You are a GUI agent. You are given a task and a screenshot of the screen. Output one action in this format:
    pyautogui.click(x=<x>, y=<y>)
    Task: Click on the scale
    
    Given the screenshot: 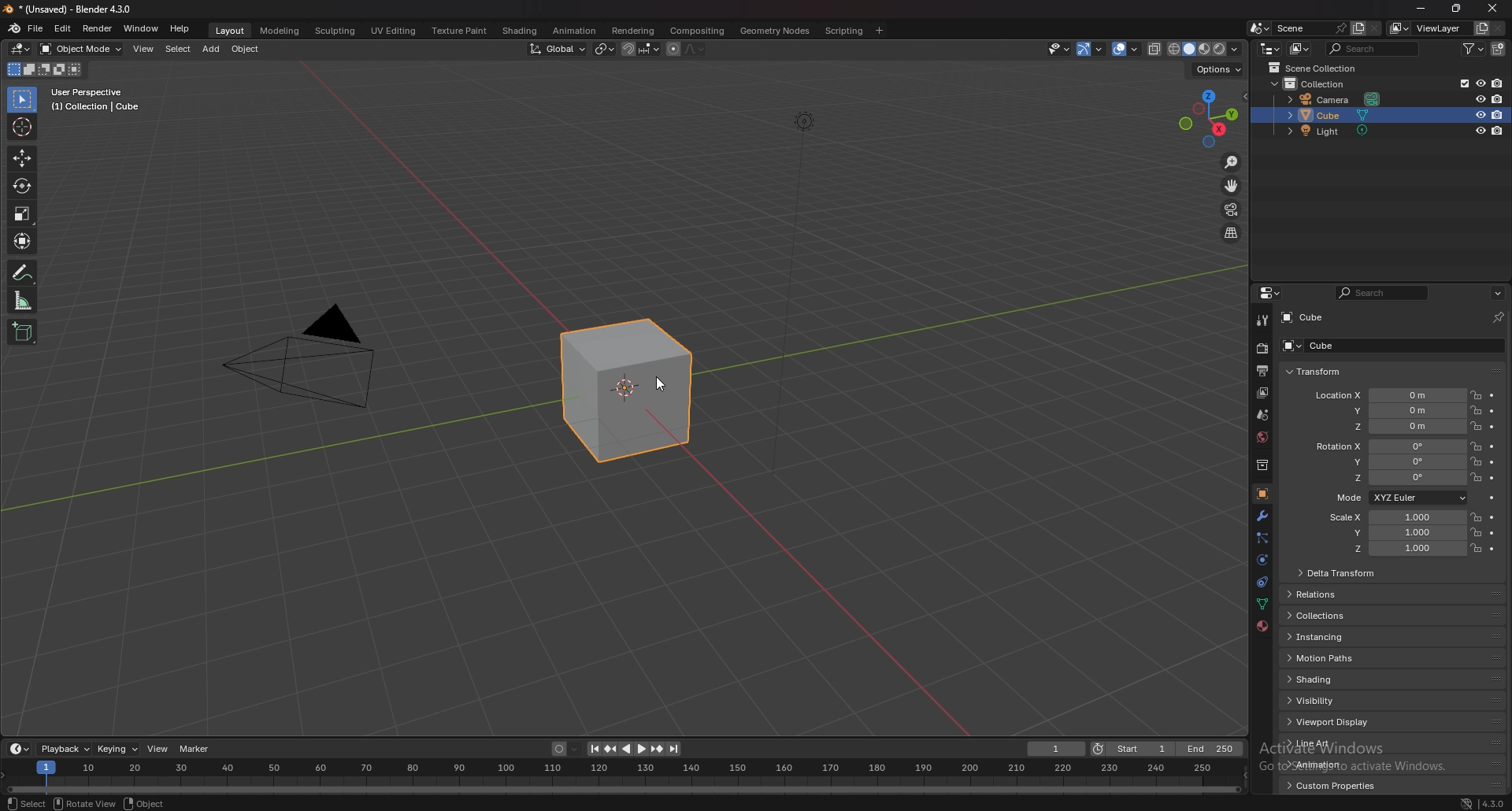 What is the action you would take?
    pyautogui.click(x=22, y=213)
    